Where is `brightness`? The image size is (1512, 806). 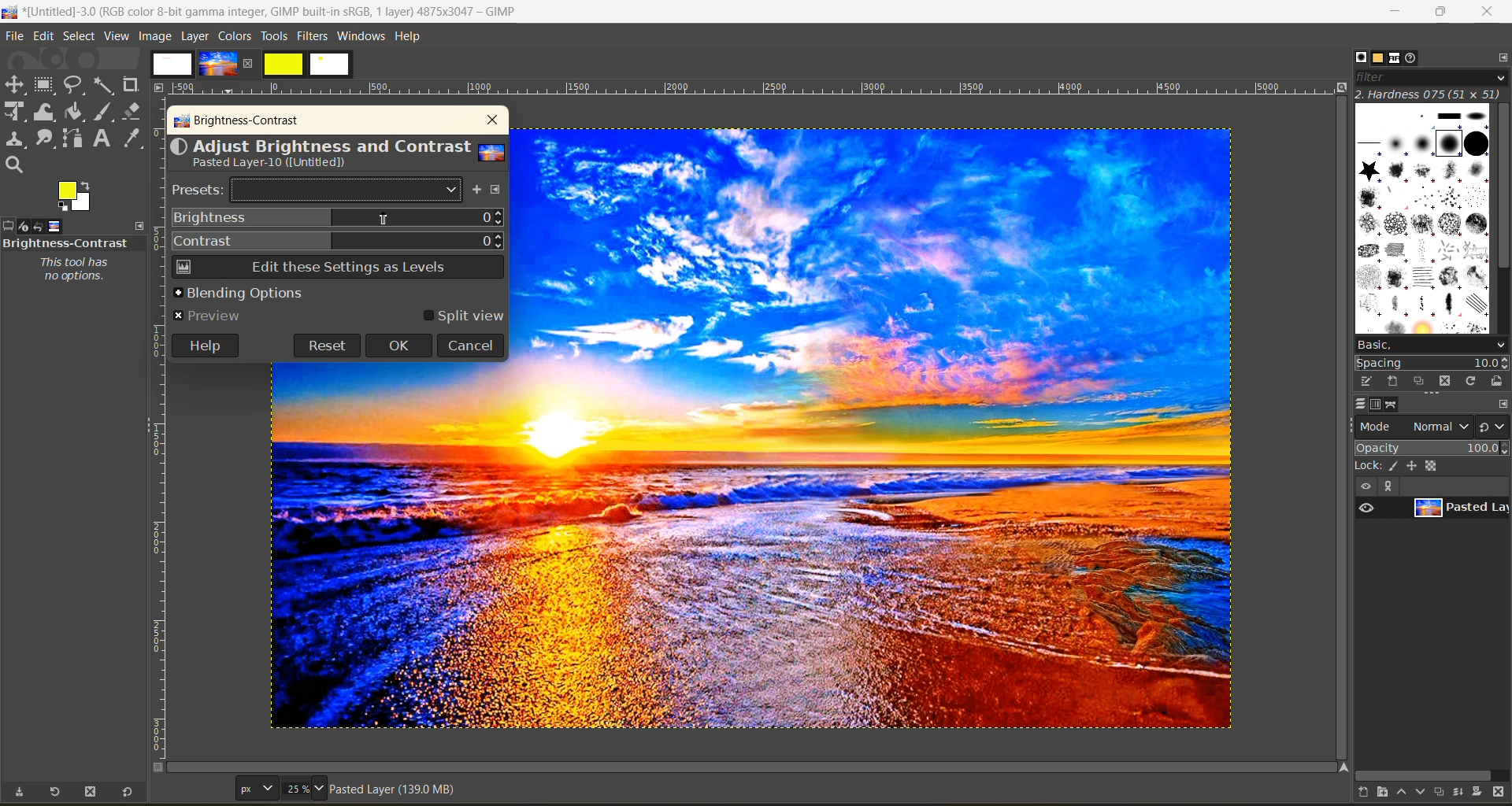
brightness is located at coordinates (338, 218).